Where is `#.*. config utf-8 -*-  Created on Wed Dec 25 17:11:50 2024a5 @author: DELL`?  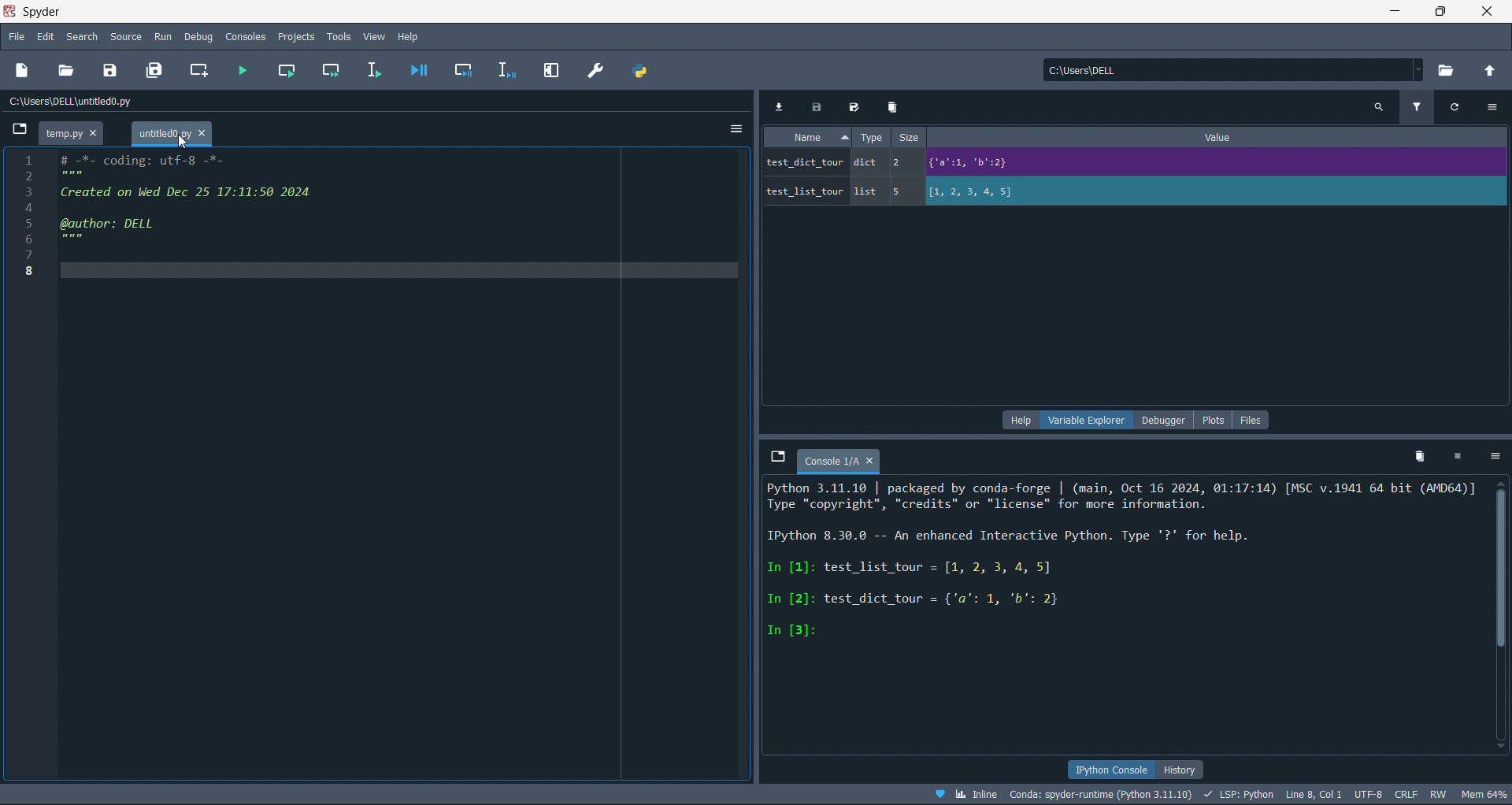 #.*. config utf-8 -*-  Created on Wed Dec 25 17:11:50 2024a5 @author: DELL is located at coordinates (233, 202).